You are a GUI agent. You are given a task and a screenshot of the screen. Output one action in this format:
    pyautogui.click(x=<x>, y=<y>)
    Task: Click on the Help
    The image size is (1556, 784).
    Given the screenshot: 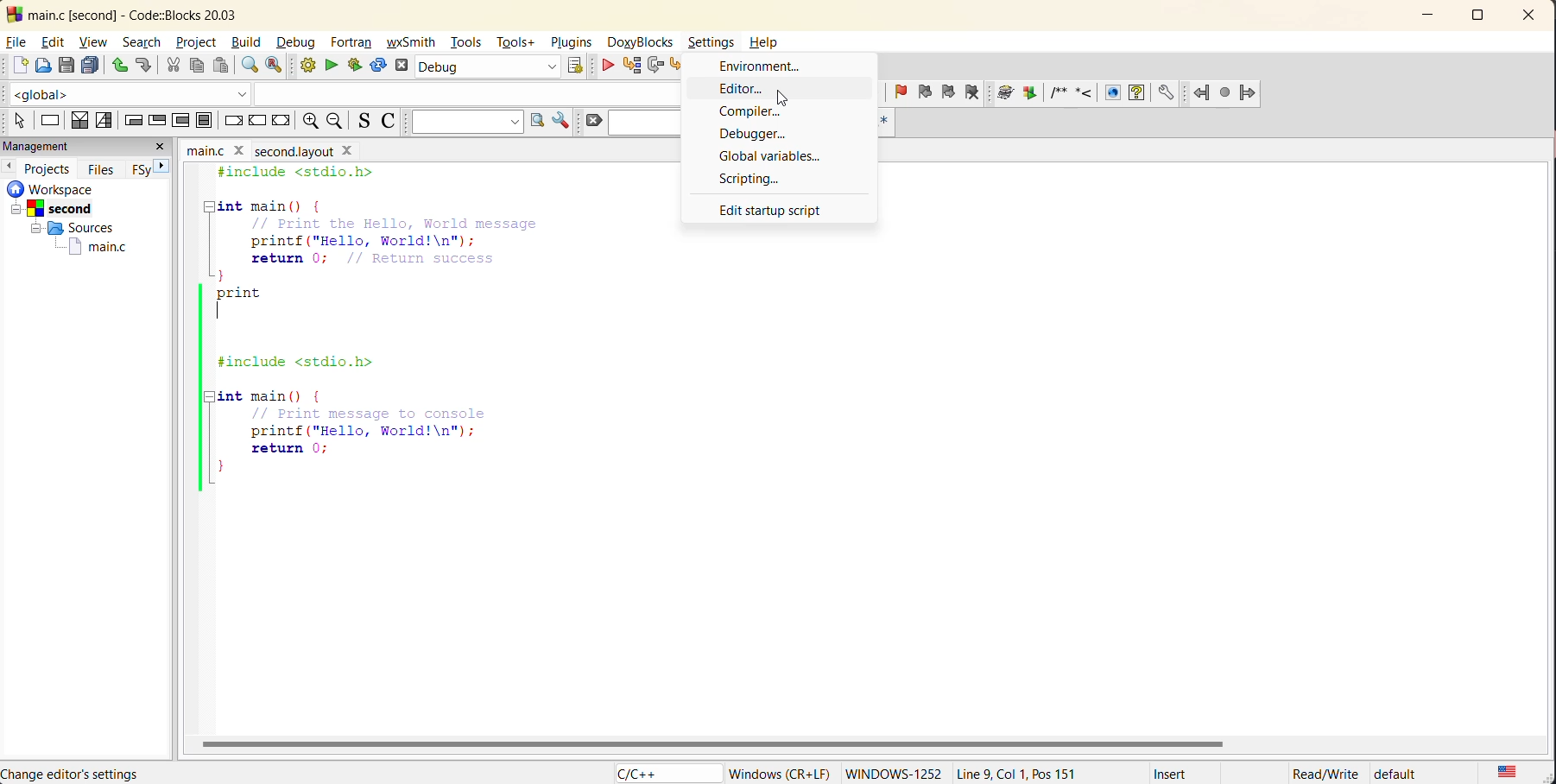 What is the action you would take?
    pyautogui.click(x=775, y=39)
    